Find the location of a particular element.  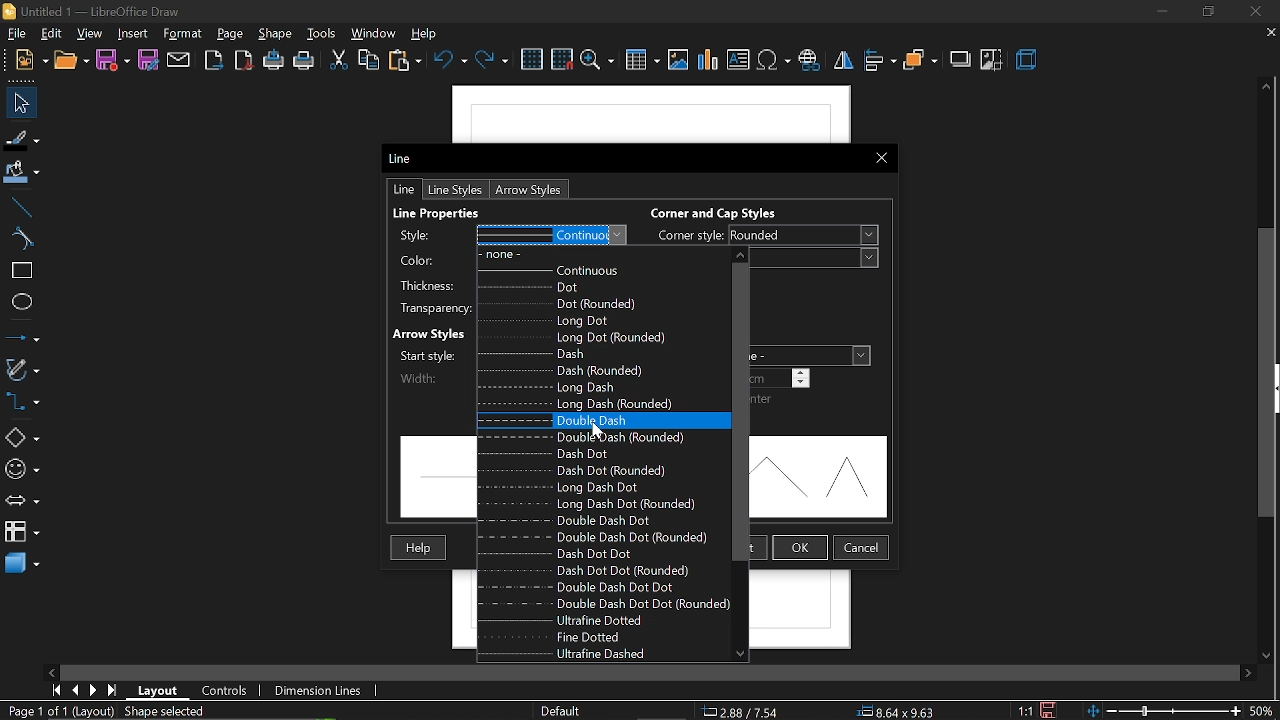

move down is located at coordinates (1270, 656).